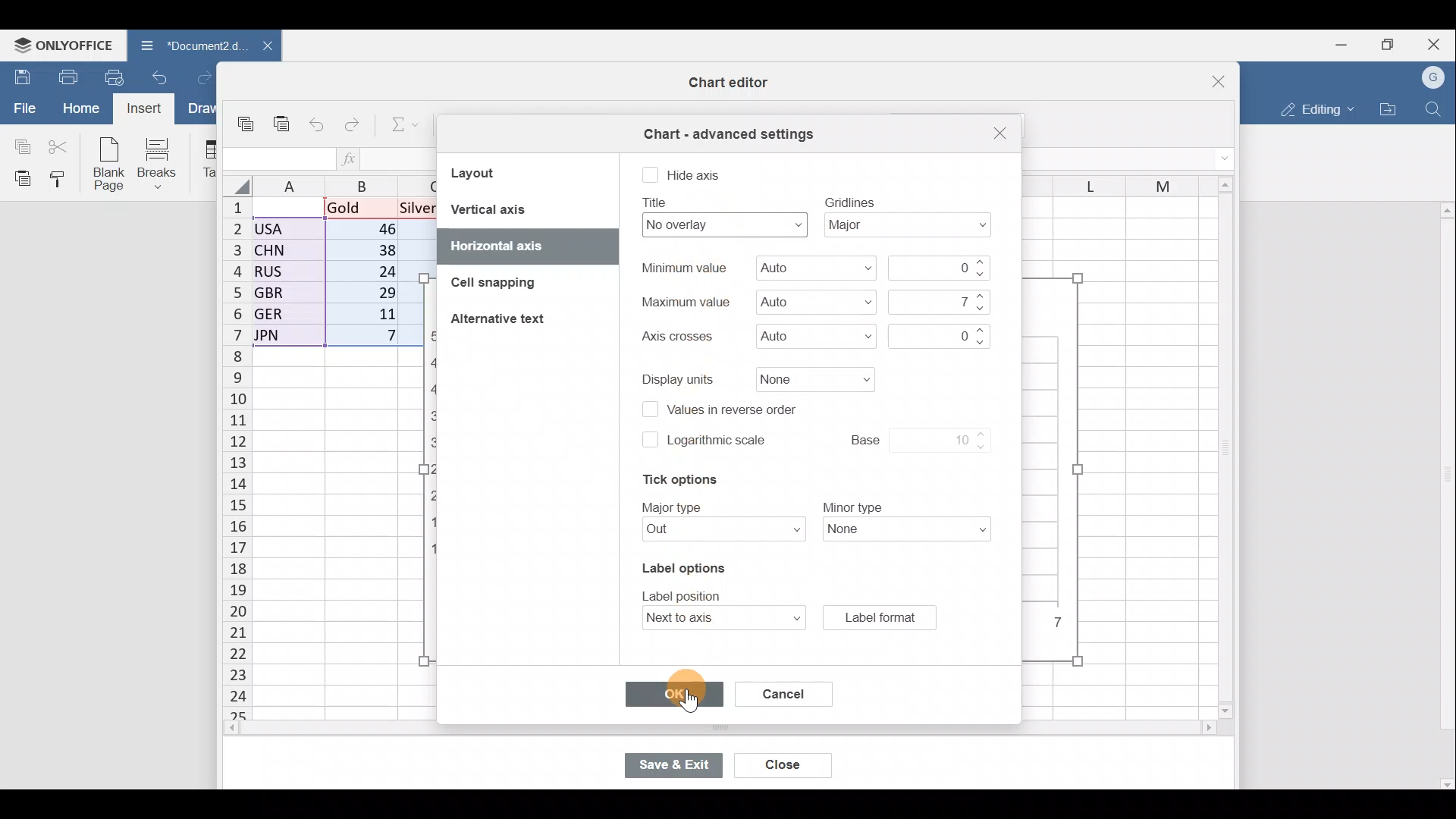 The height and width of the screenshot is (819, 1456). Describe the element at coordinates (23, 108) in the screenshot. I see `File` at that location.